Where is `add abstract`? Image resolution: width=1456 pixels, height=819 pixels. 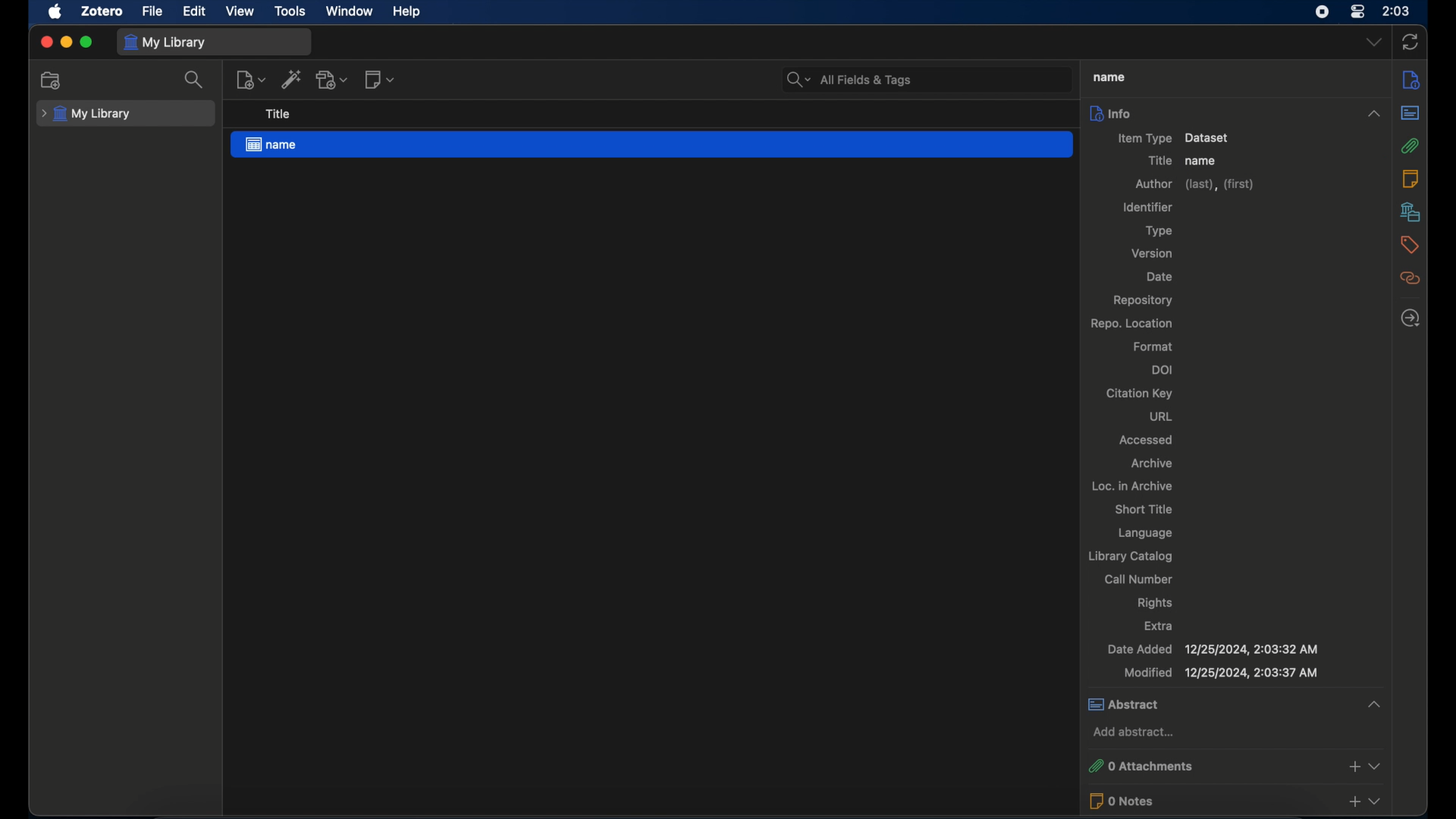
add abstract is located at coordinates (1137, 732).